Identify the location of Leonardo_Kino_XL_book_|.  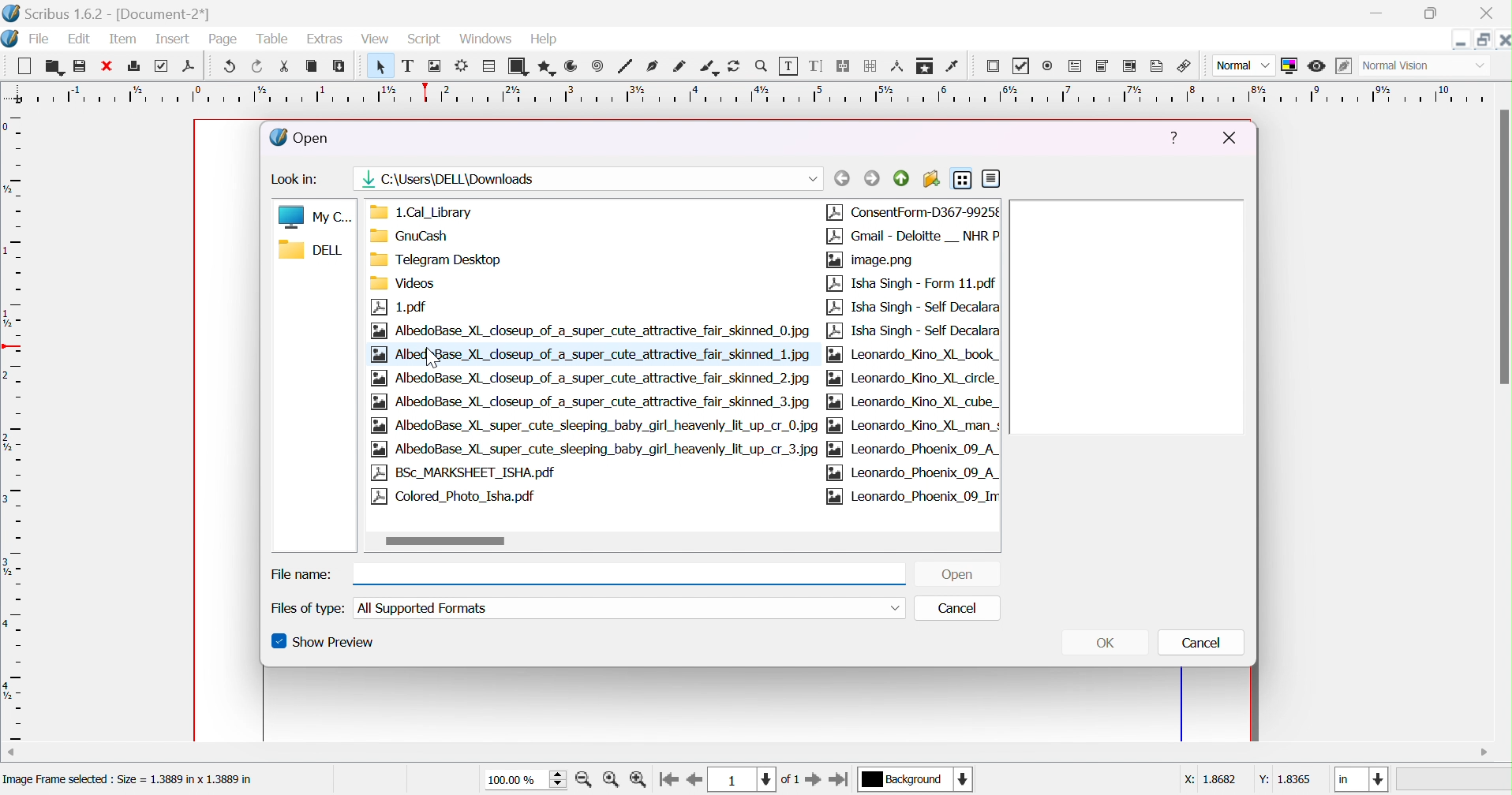
(915, 354).